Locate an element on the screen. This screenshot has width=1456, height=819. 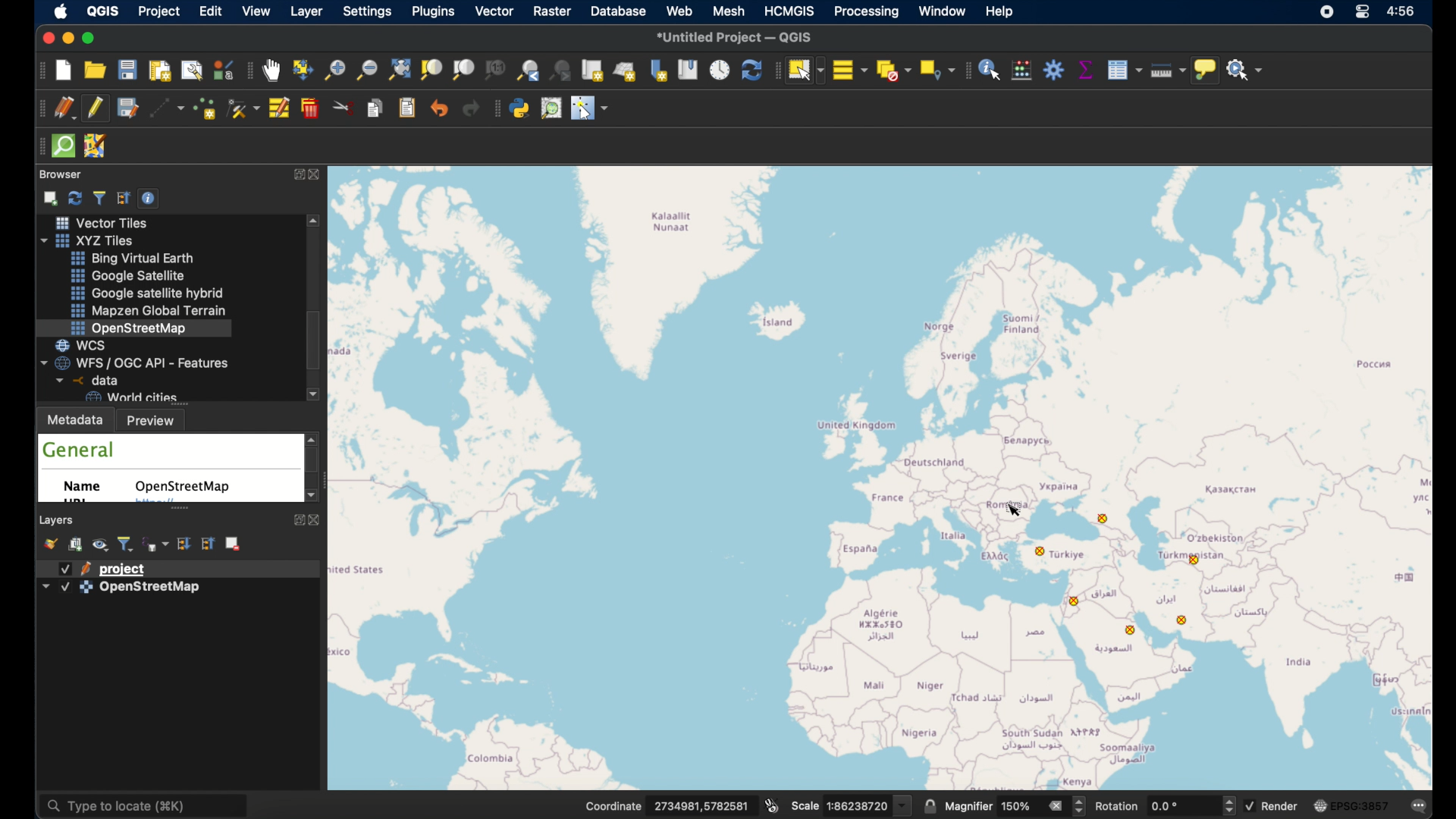
attributes toolbar is located at coordinates (966, 71).